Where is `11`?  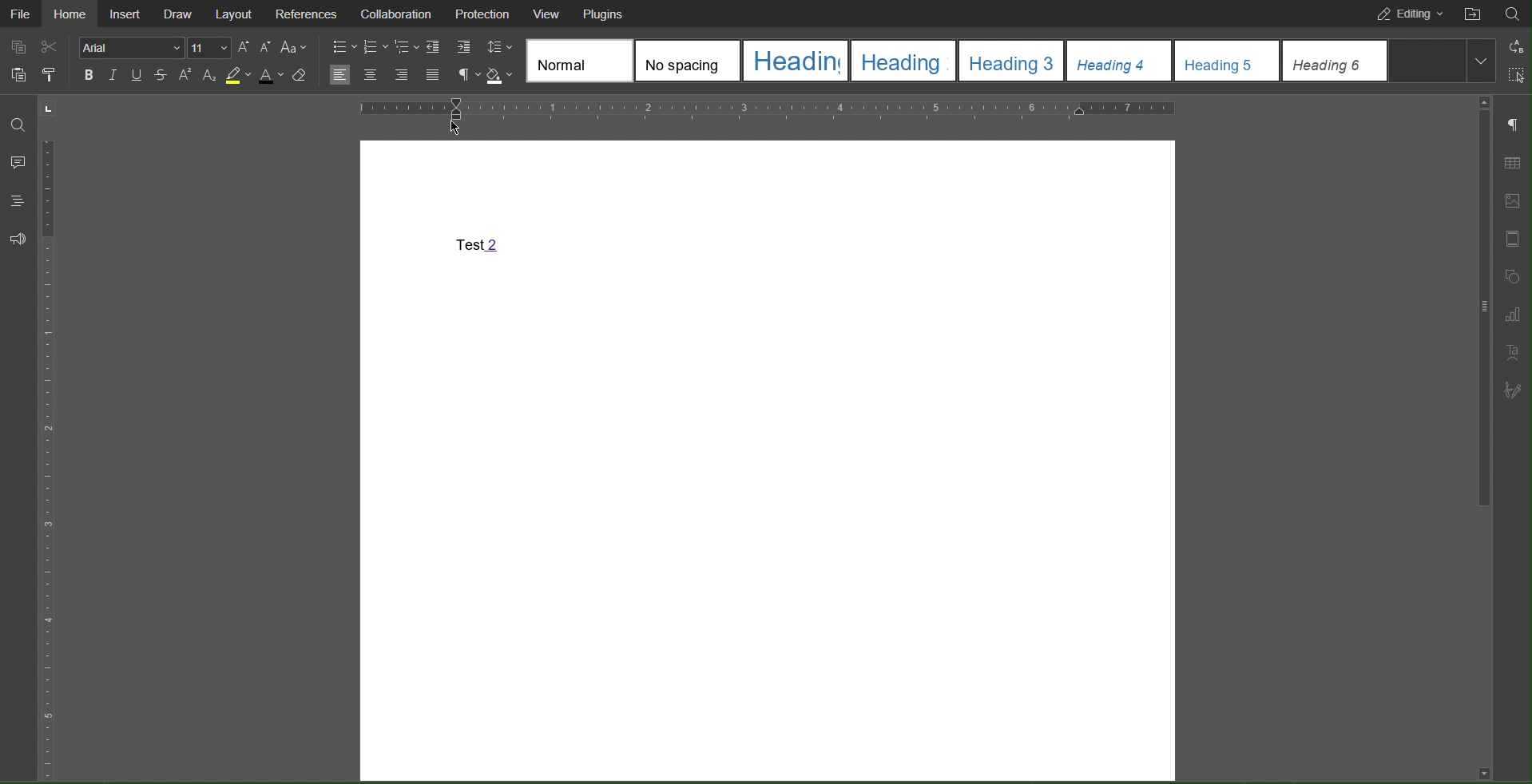
11 is located at coordinates (208, 46).